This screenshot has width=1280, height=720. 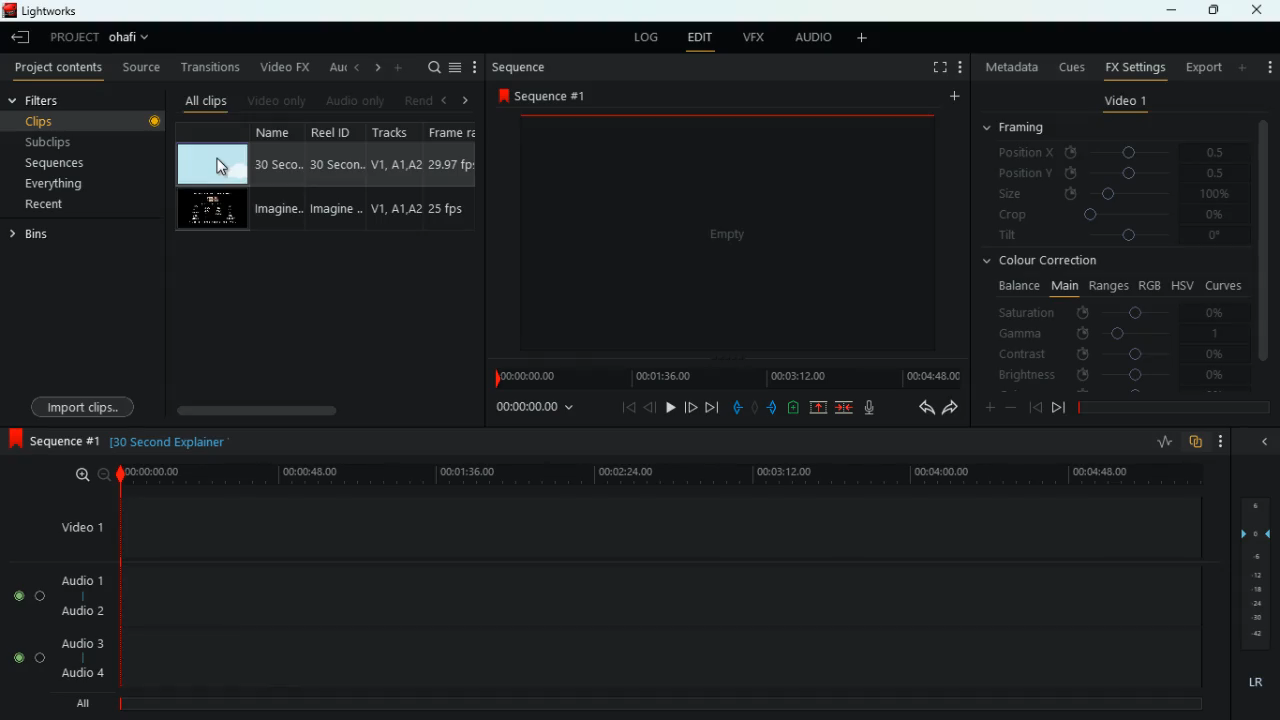 What do you see at coordinates (455, 67) in the screenshot?
I see `menu` at bounding box center [455, 67].